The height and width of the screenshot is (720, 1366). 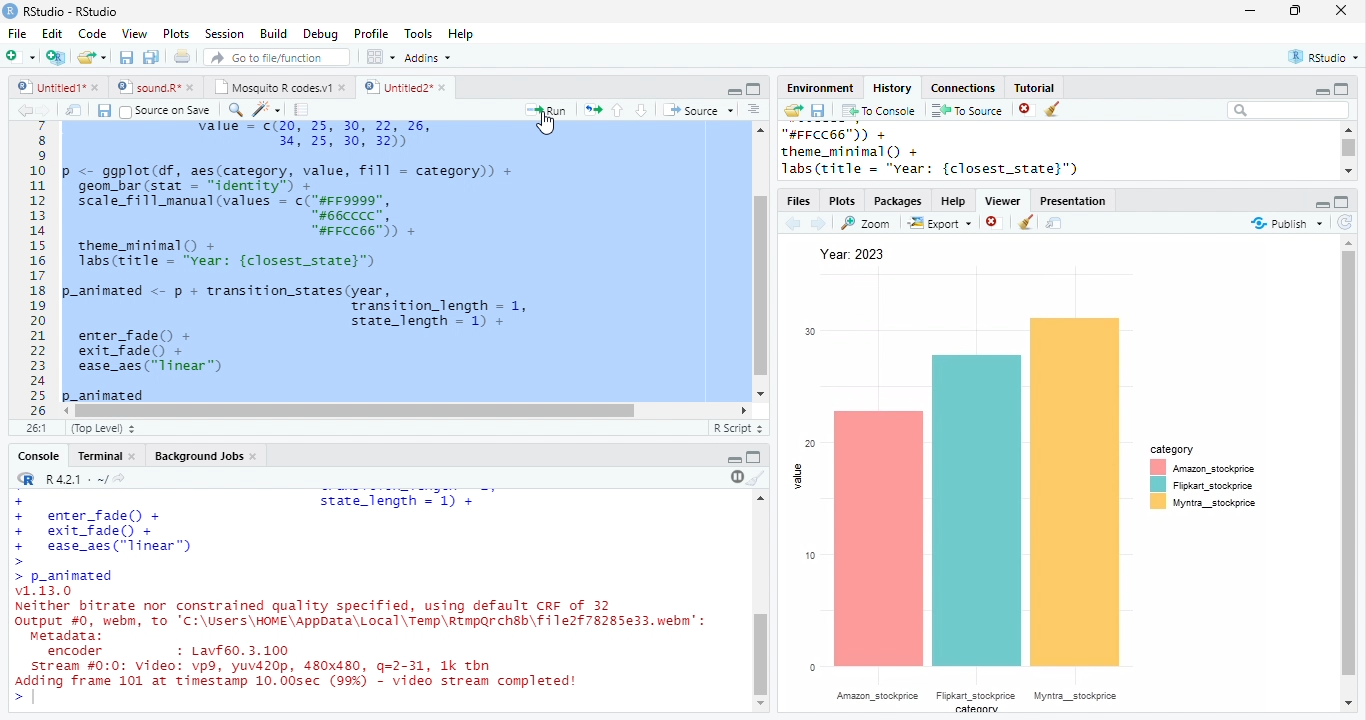 I want to click on Addins, so click(x=428, y=57).